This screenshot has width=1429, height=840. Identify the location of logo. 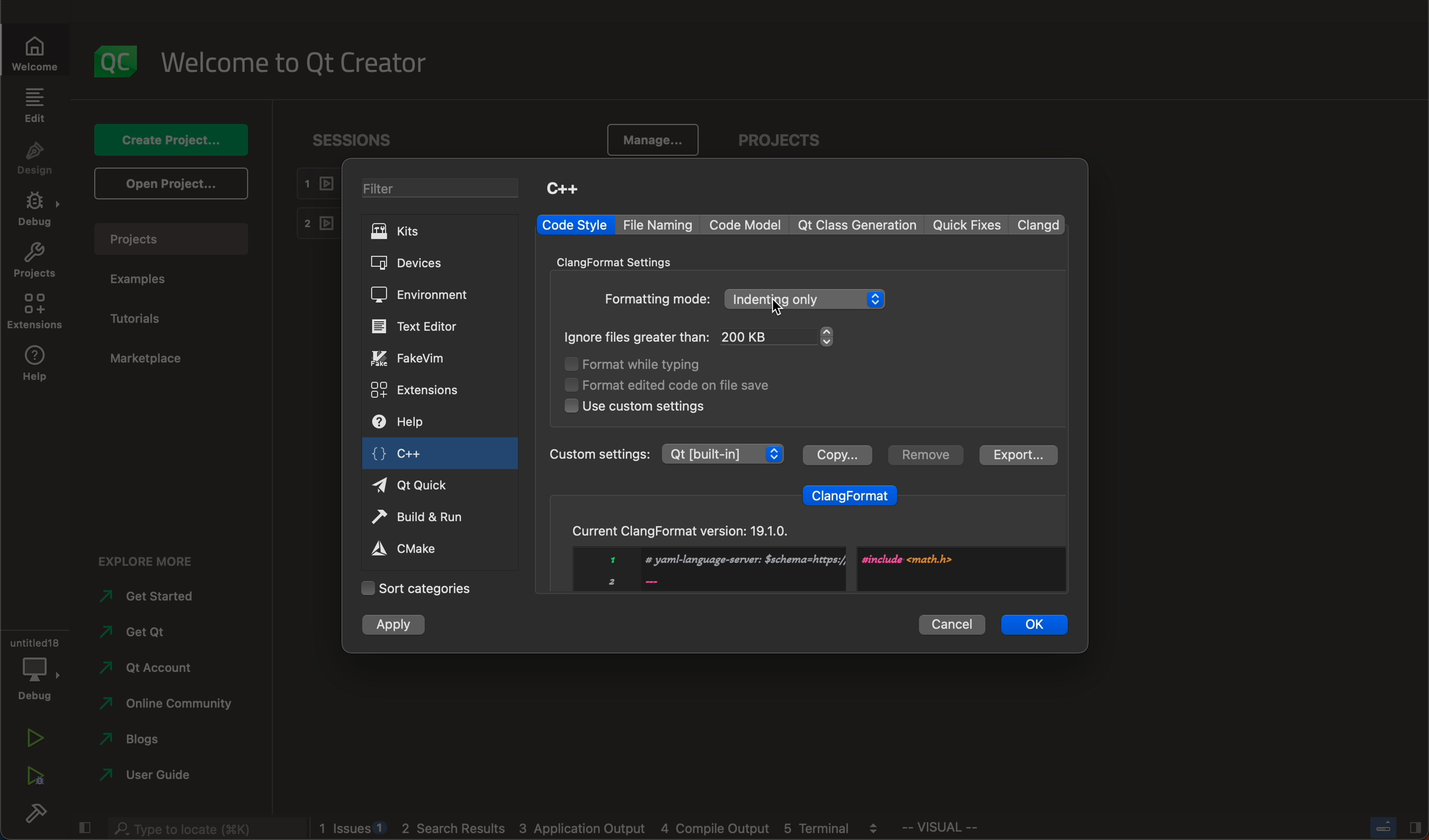
(117, 61).